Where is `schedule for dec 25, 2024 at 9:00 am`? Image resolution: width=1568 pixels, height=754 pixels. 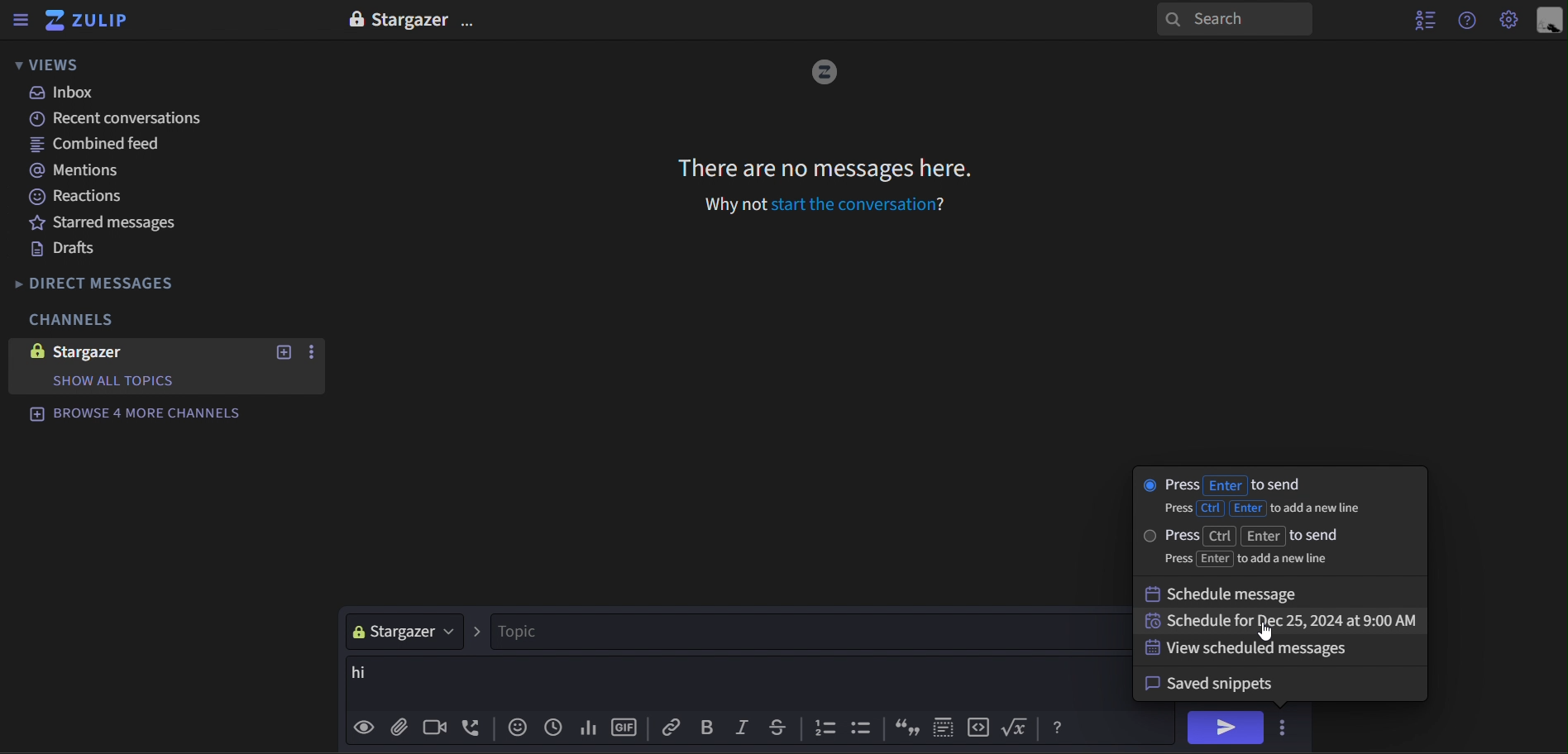
schedule for dec 25, 2024 at 9:00 am is located at coordinates (1278, 620).